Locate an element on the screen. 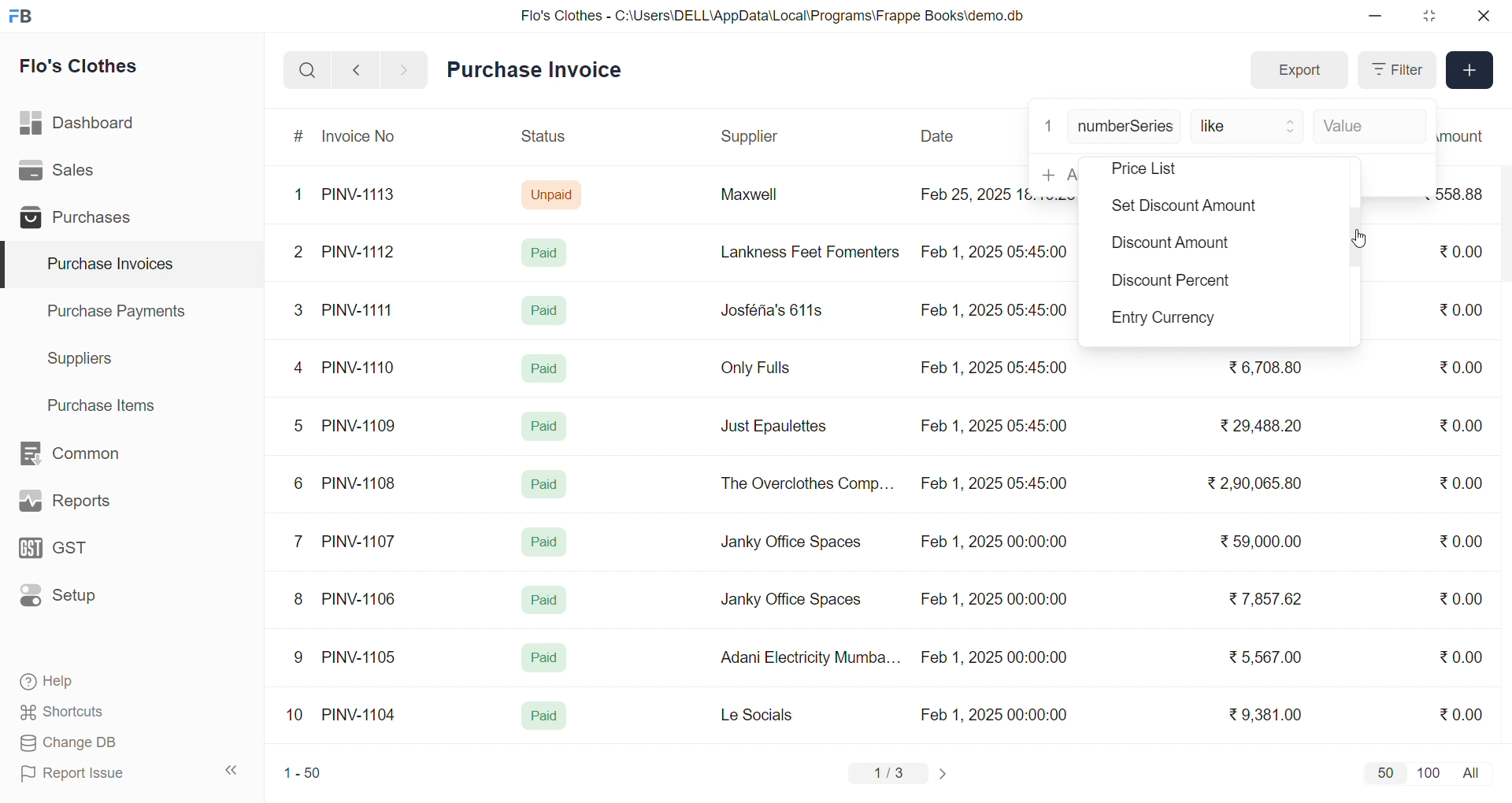  ₹0.00 is located at coordinates (1463, 309).